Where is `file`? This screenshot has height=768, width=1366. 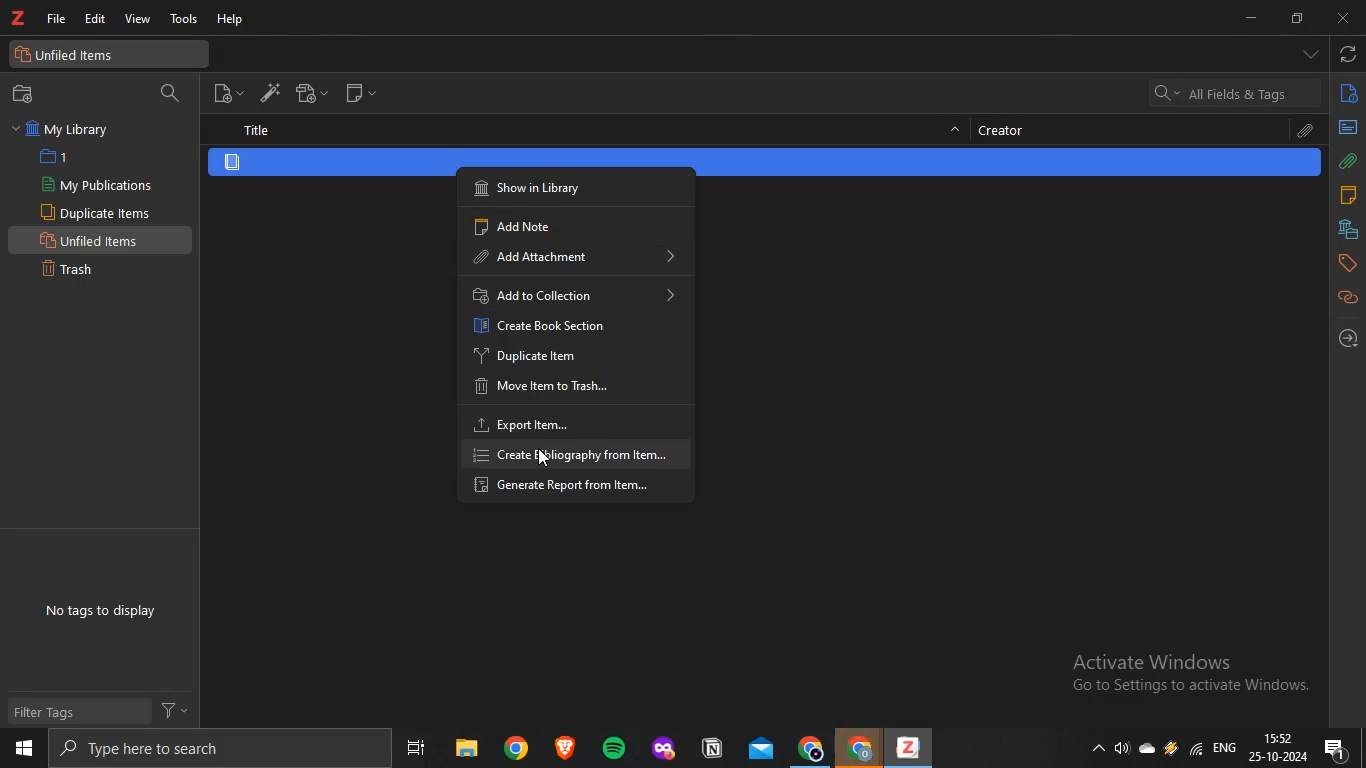 file is located at coordinates (59, 18).